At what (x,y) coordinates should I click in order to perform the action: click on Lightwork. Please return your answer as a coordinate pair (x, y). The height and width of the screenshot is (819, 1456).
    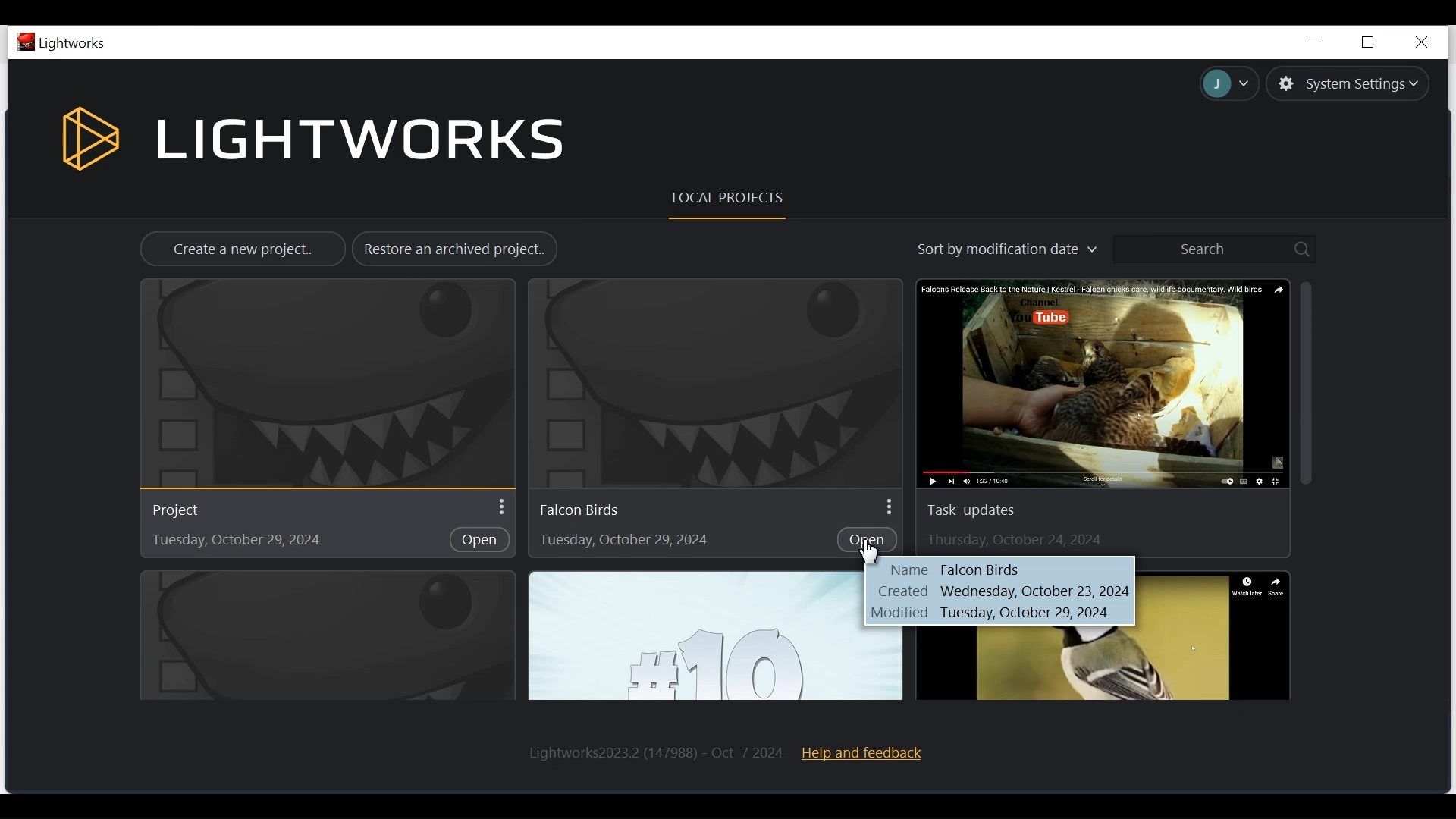
    Looking at the image, I should click on (656, 752).